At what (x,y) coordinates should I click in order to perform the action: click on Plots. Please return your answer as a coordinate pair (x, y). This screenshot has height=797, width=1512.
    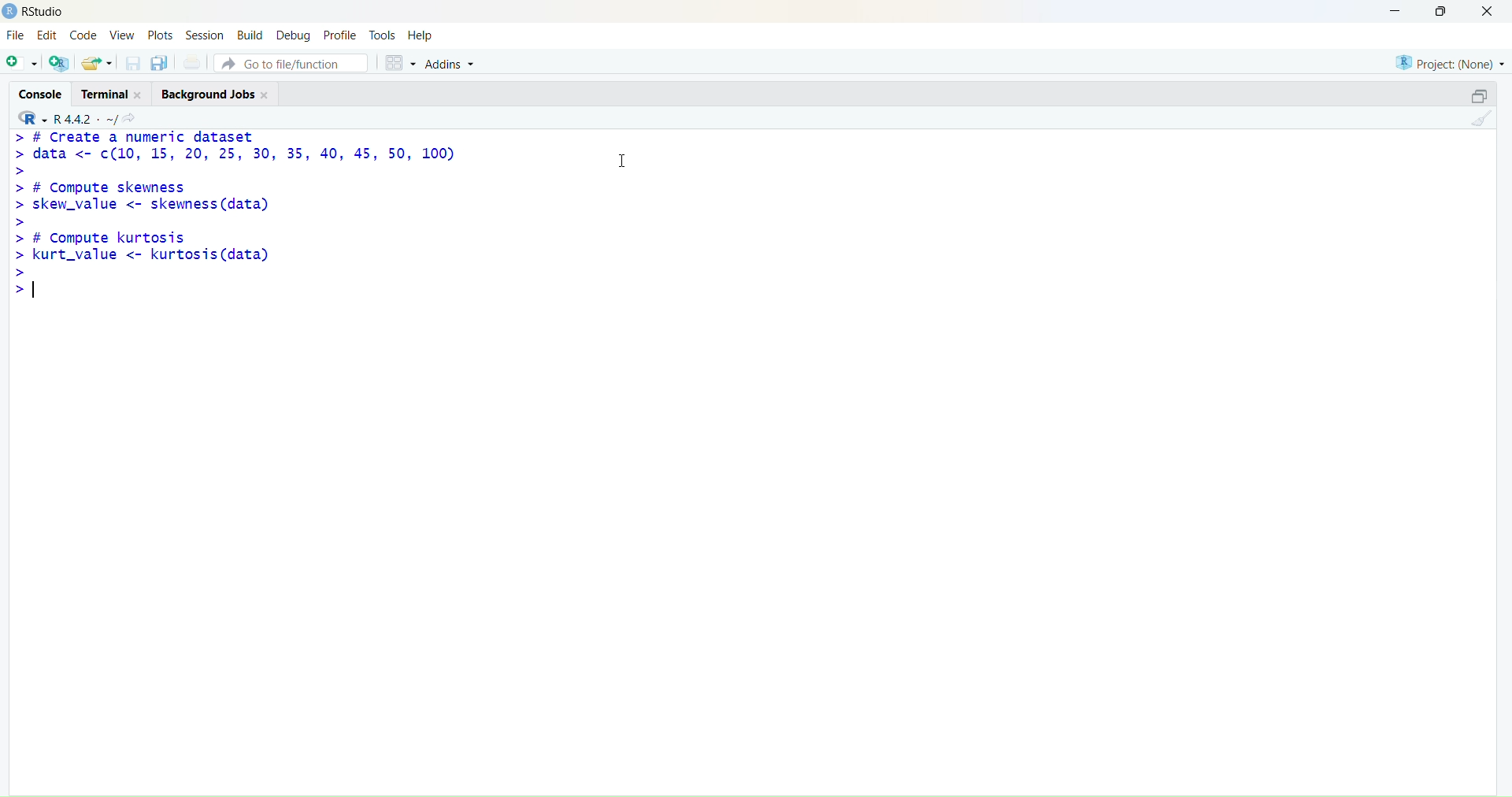
    Looking at the image, I should click on (161, 35).